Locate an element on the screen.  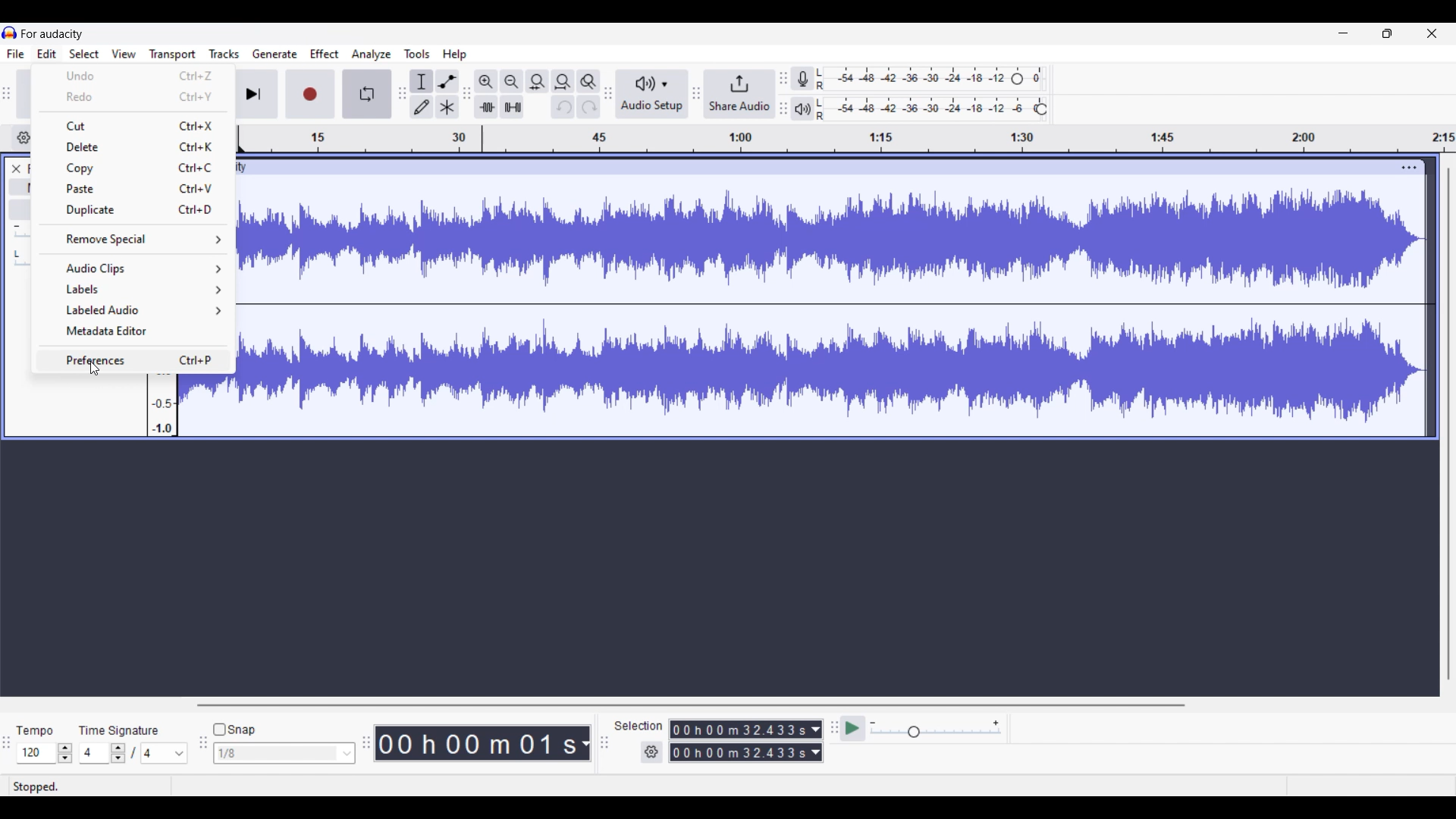
Remove special options is located at coordinates (134, 240).